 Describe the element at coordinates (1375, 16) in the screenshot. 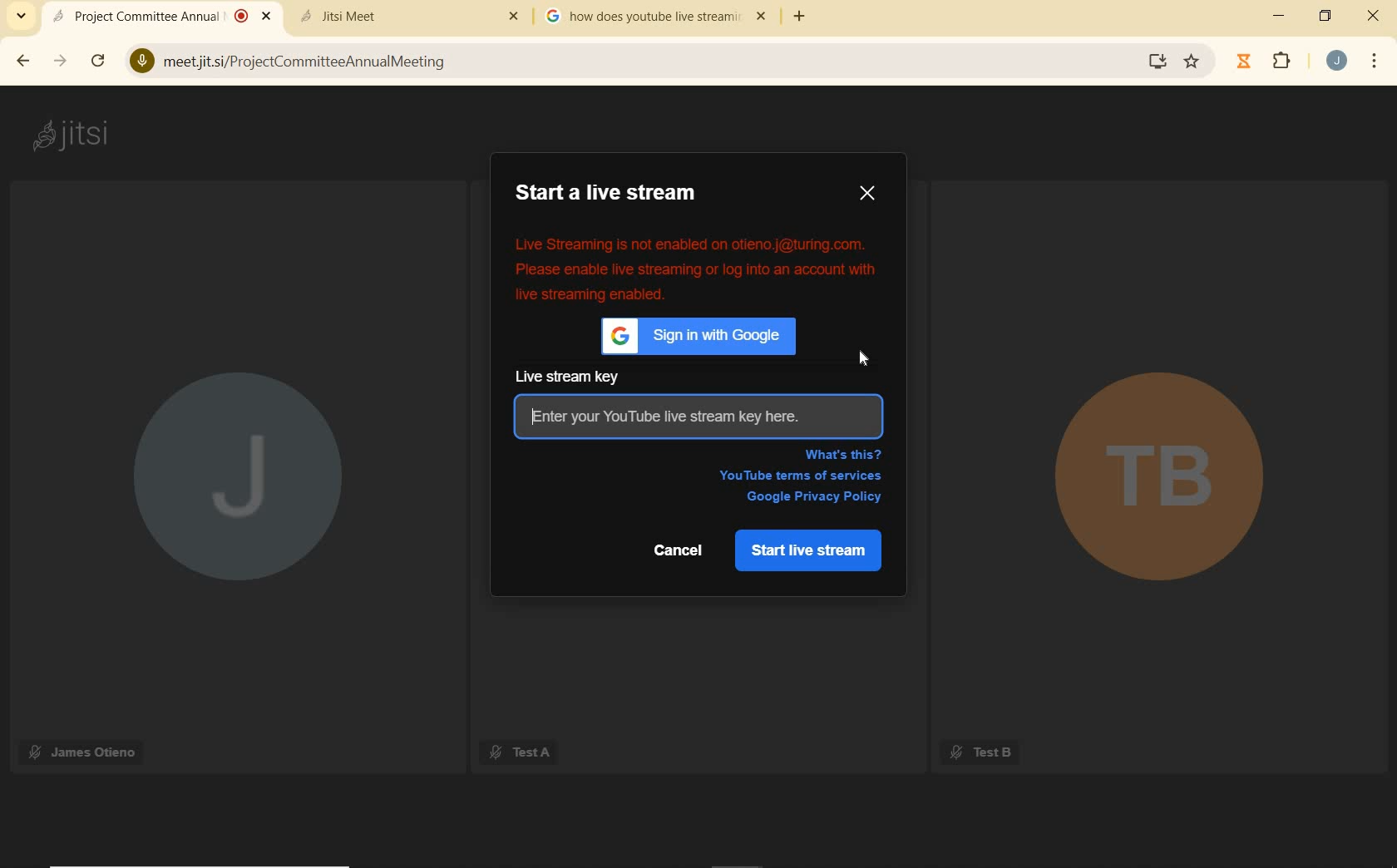

I see `close` at that location.